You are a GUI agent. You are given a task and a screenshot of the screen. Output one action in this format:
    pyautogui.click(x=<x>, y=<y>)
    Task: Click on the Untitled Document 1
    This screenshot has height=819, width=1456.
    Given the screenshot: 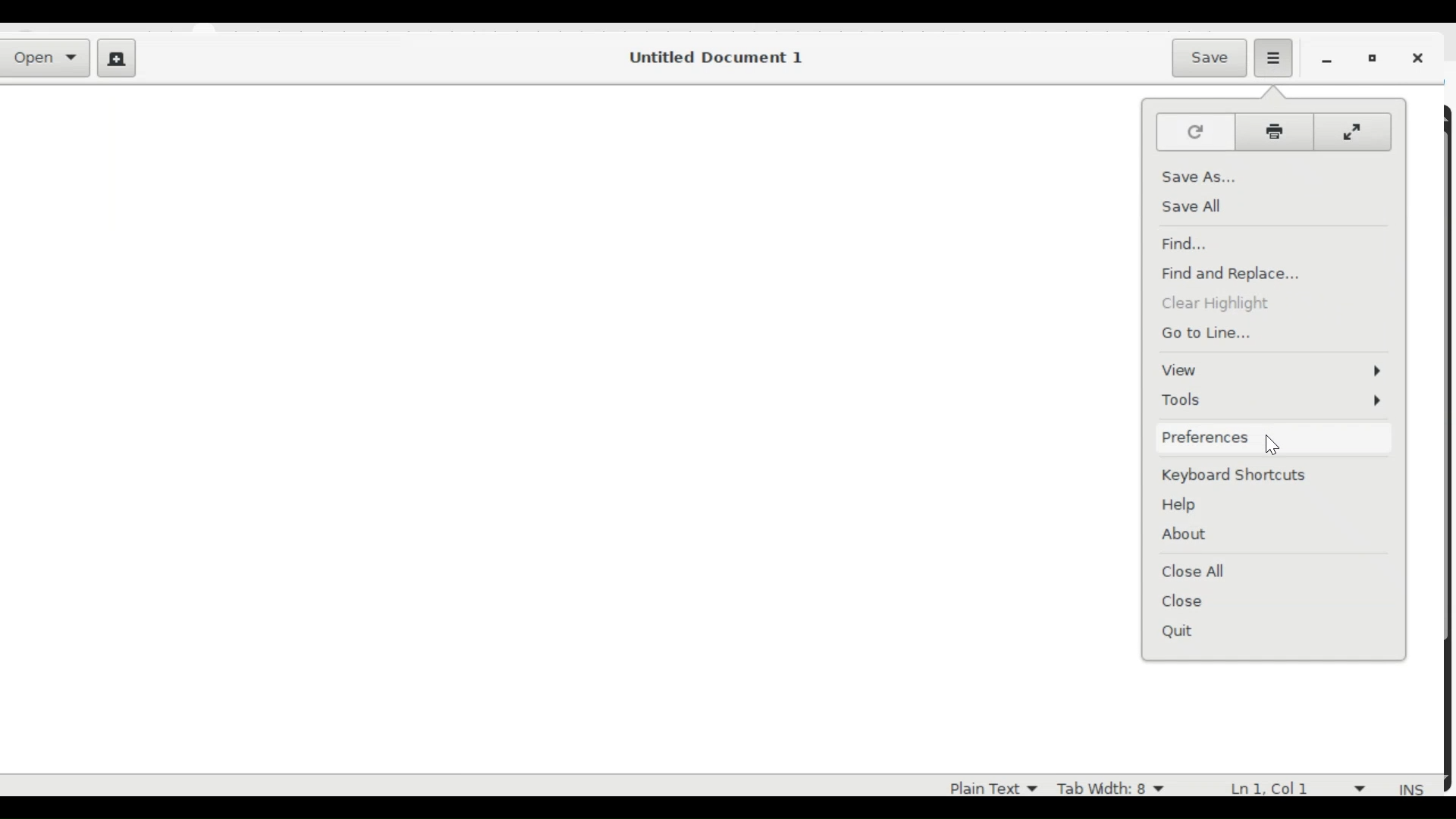 What is the action you would take?
    pyautogui.click(x=714, y=58)
    